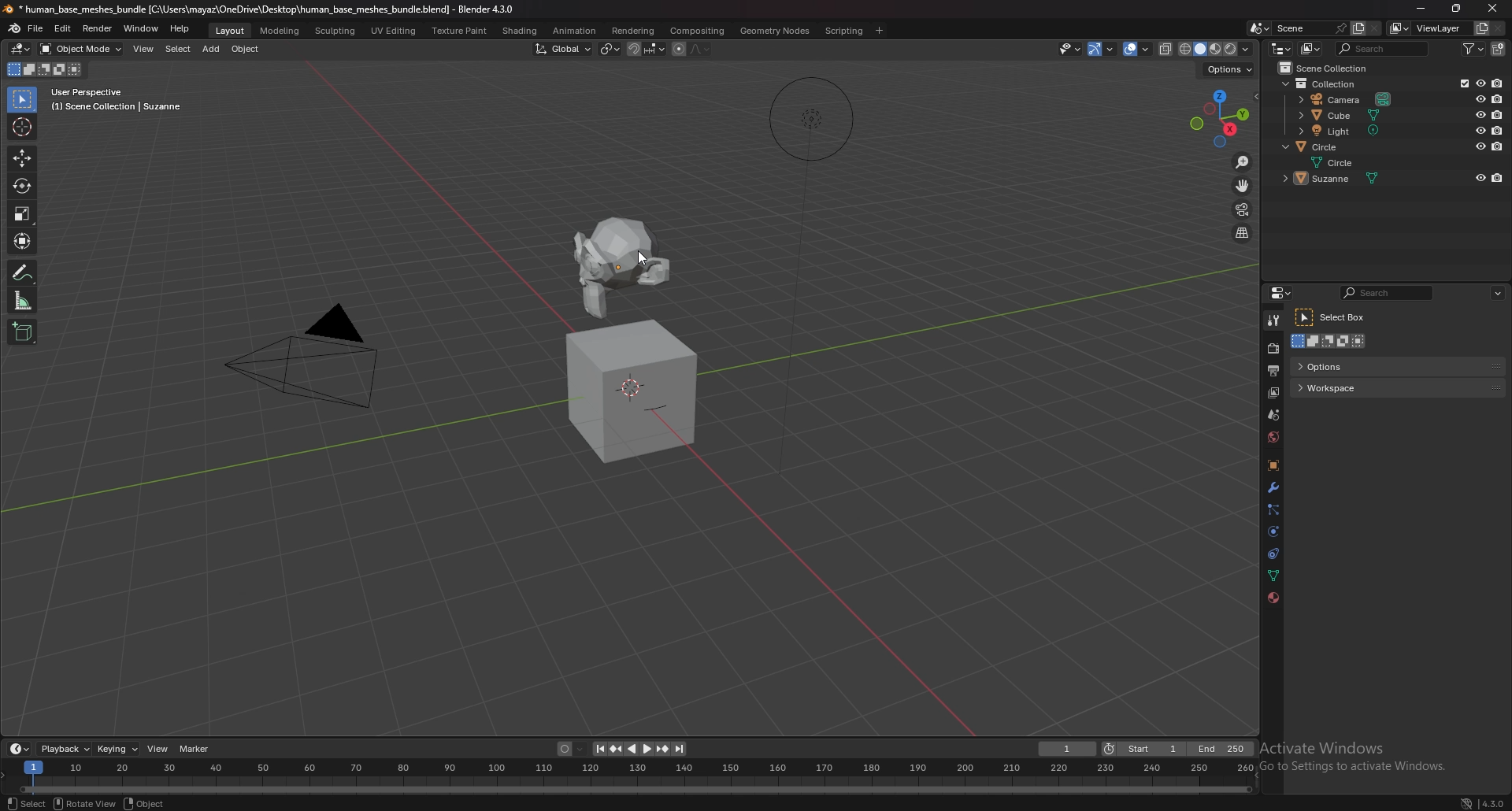 This screenshot has height=811, width=1512. Describe the element at coordinates (1296, 28) in the screenshot. I see `scene` at that location.